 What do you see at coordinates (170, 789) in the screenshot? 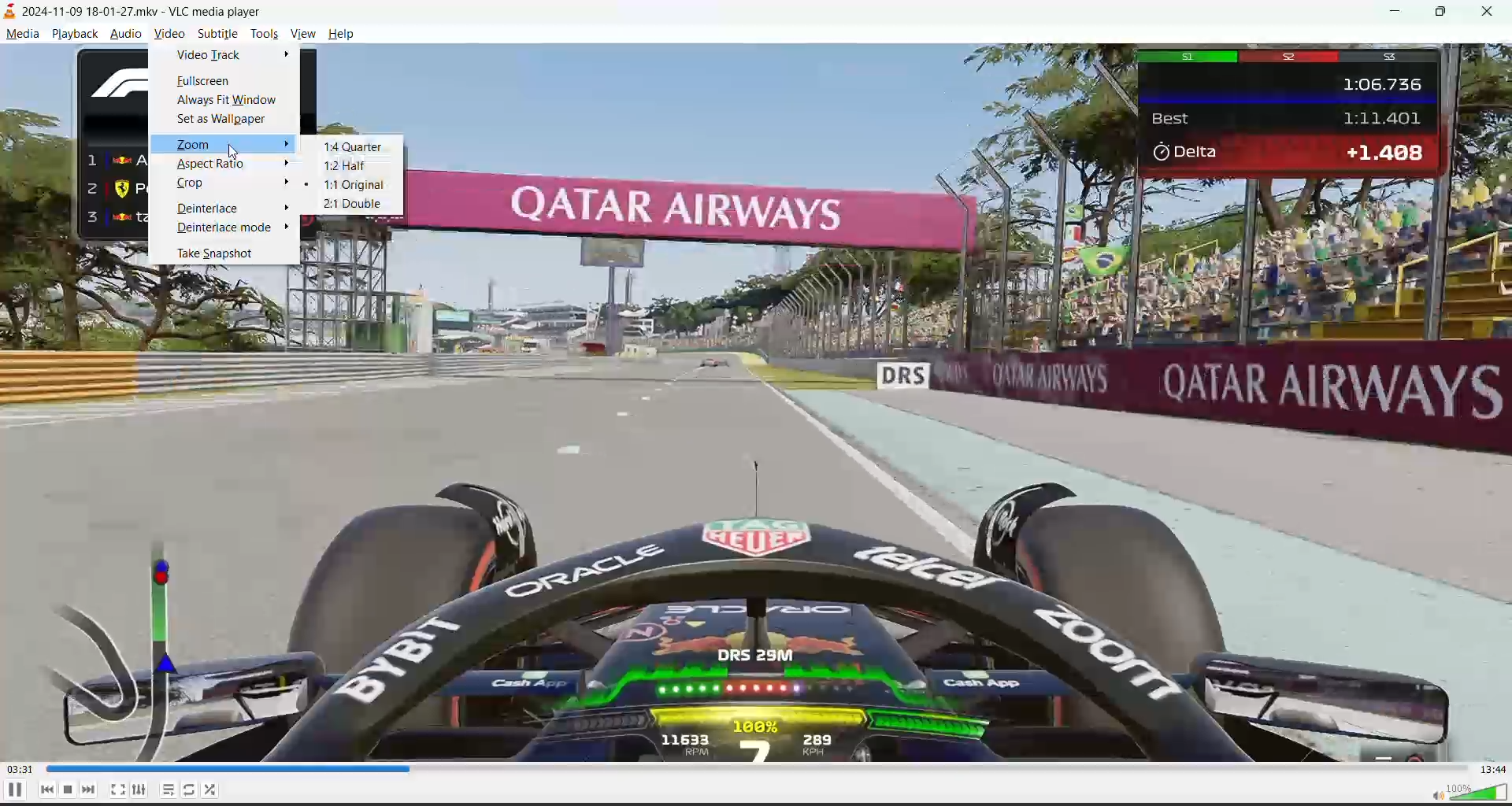
I see `toggle playlist` at bounding box center [170, 789].